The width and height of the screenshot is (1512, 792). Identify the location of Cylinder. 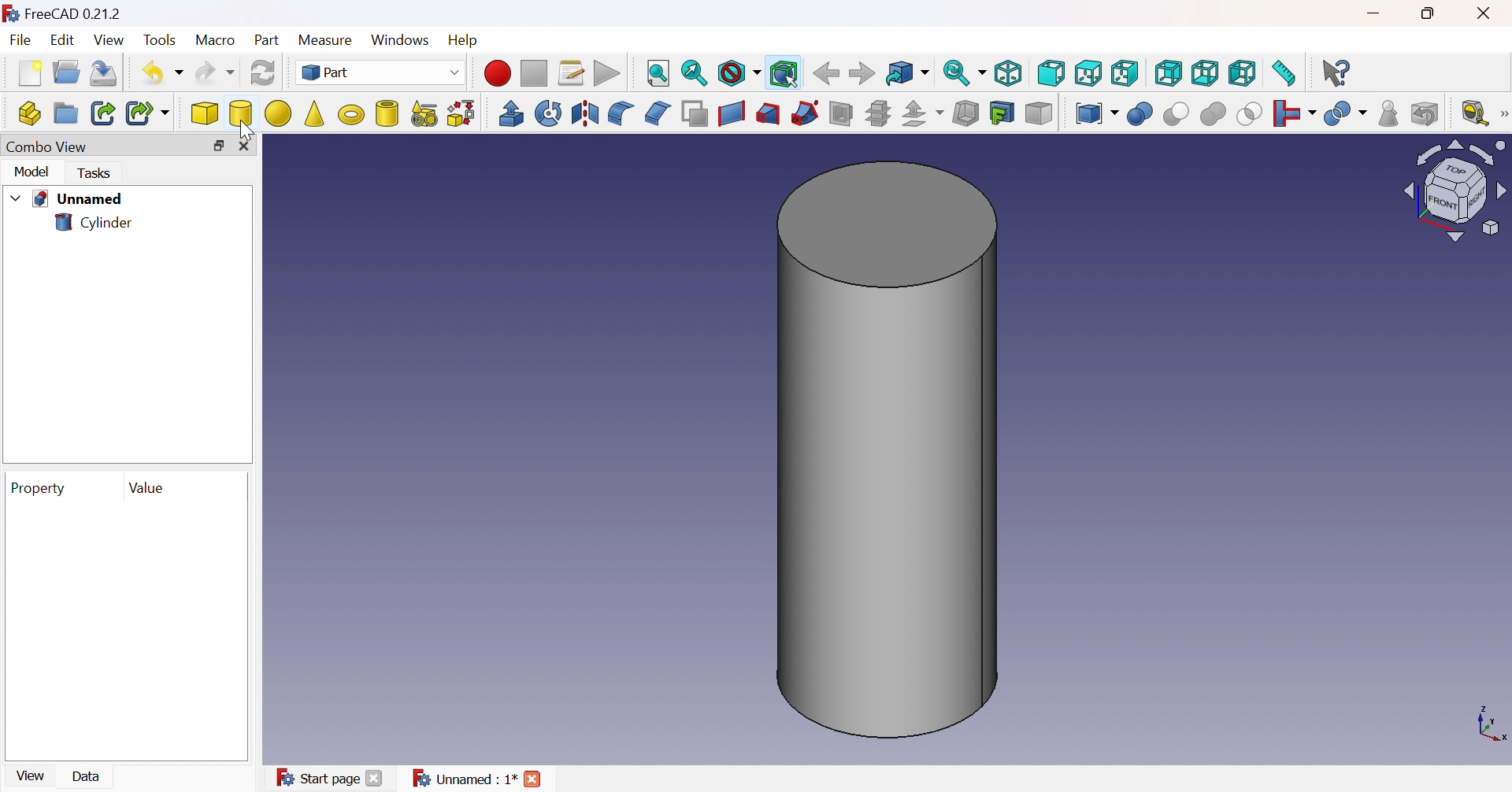
(240, 113).